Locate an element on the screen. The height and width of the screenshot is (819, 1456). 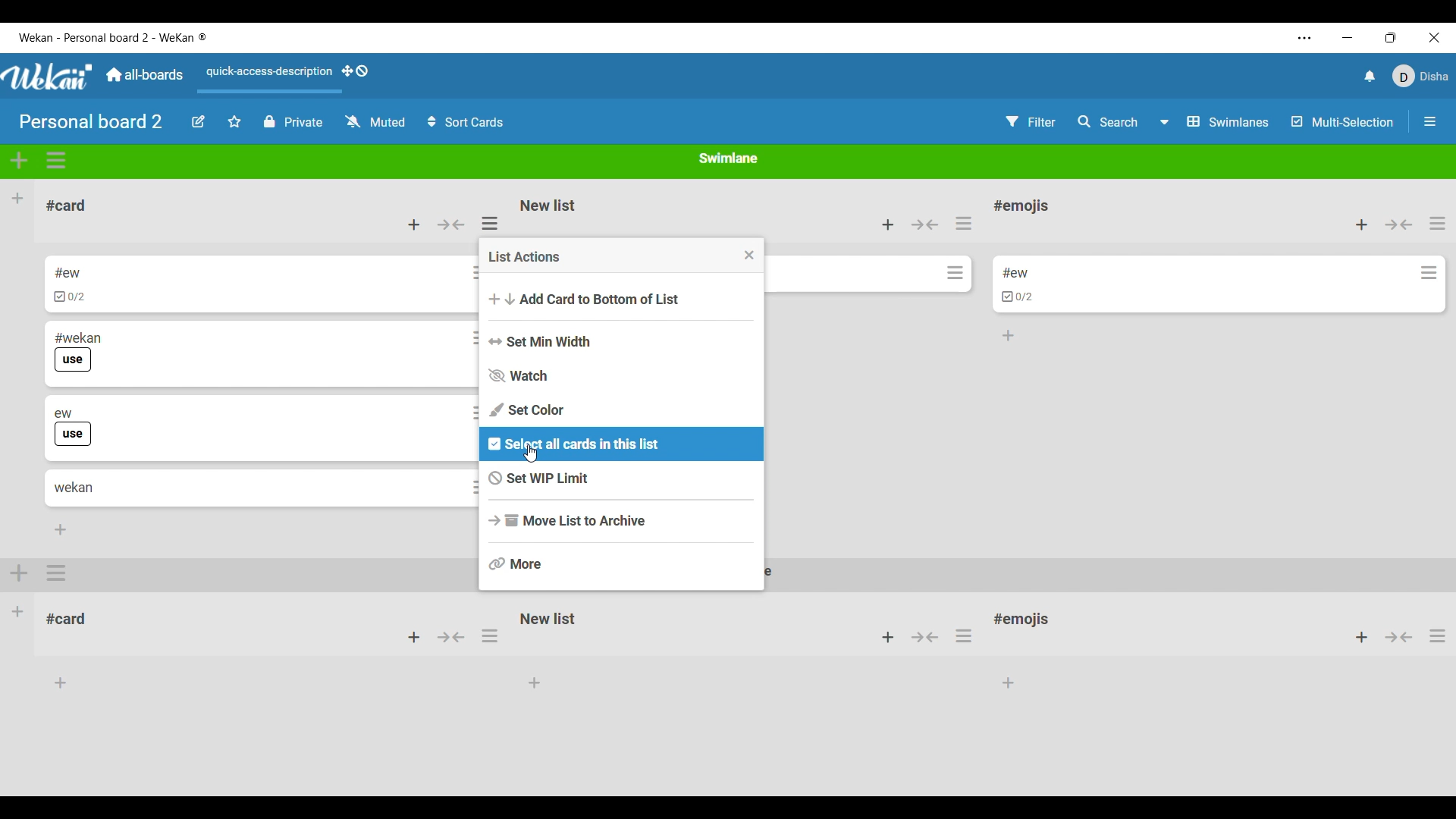
Collapse is located at coordinates (1398, 224).